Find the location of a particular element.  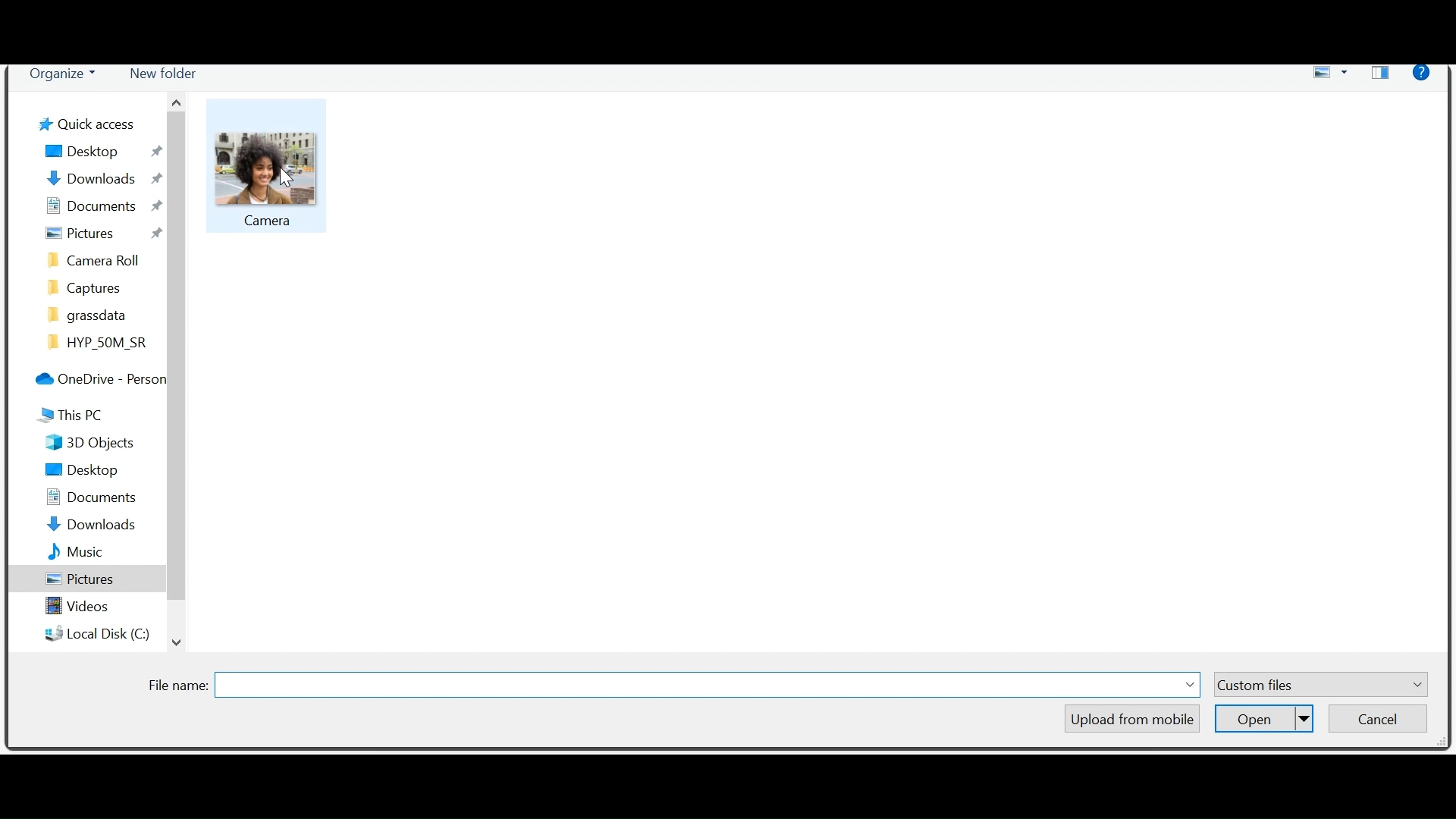

OneDrive is located at coordinates (93, 378).